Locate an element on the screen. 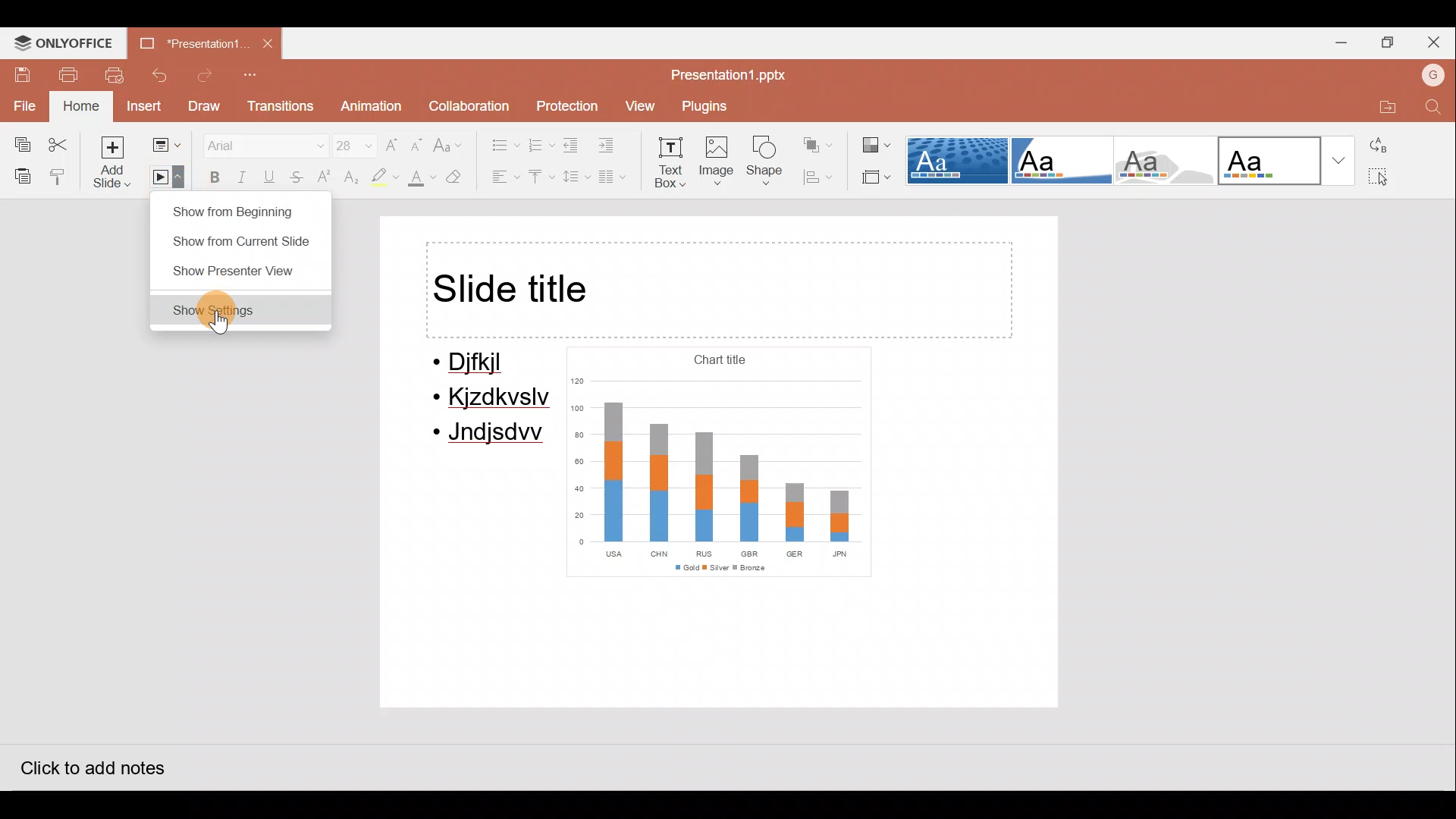 The height and width of the screenshot is (819, 1456). Turtle is located at coordinates (1160, 162).